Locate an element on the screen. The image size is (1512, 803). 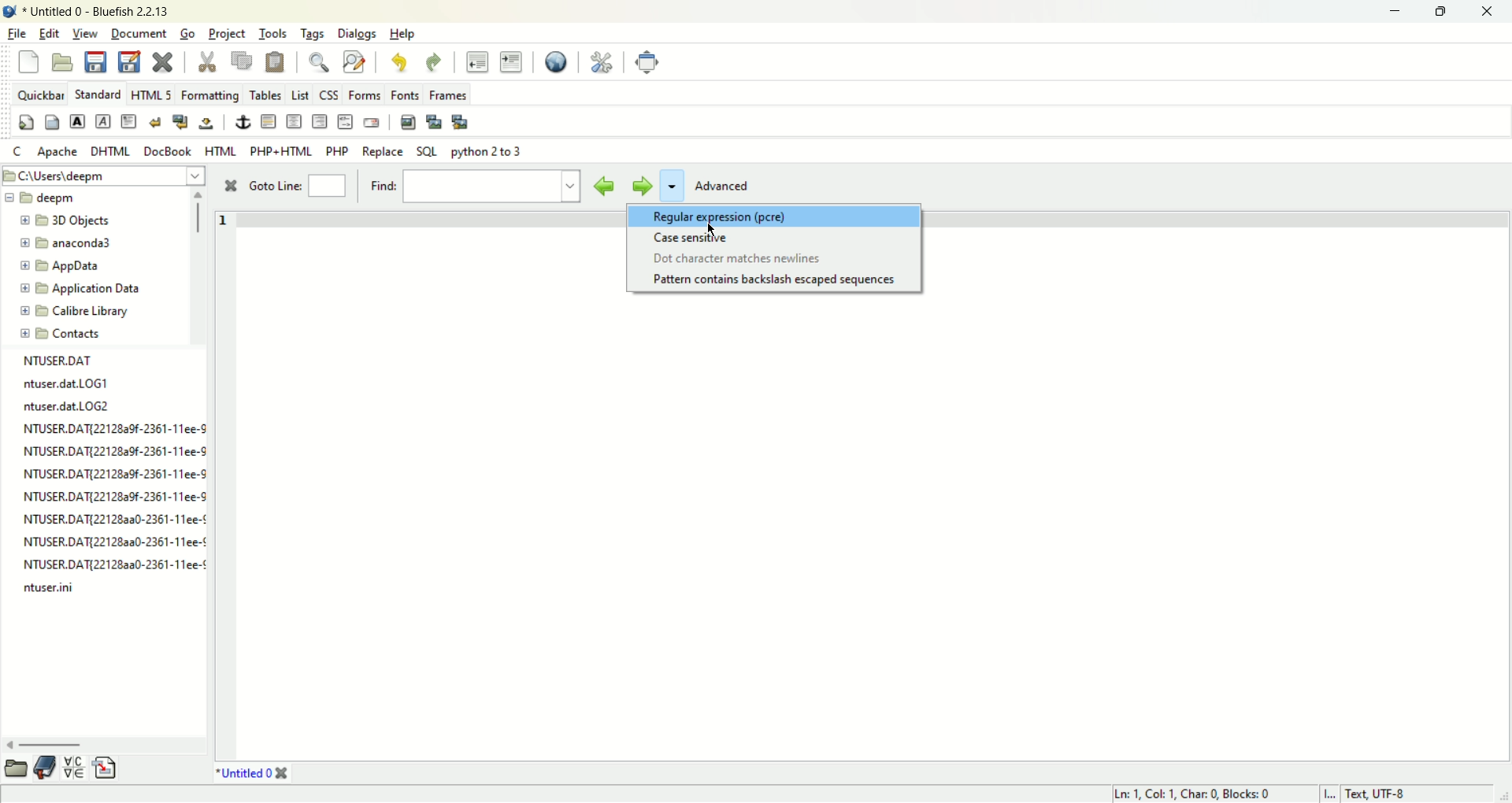
SQL is located at coordinates (427, 152).